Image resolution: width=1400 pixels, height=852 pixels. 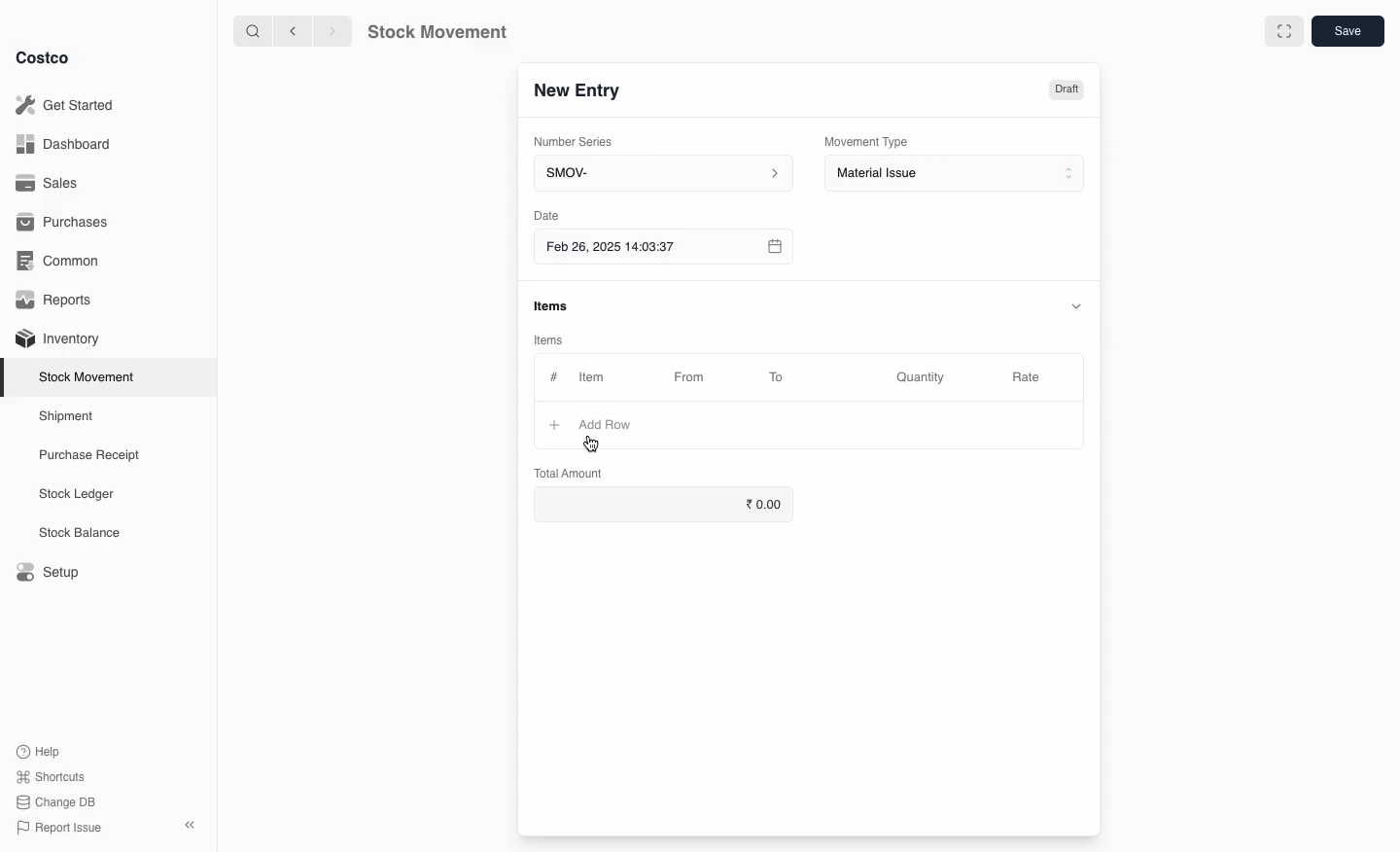 I want to click on items, so click(x=553, y=306).